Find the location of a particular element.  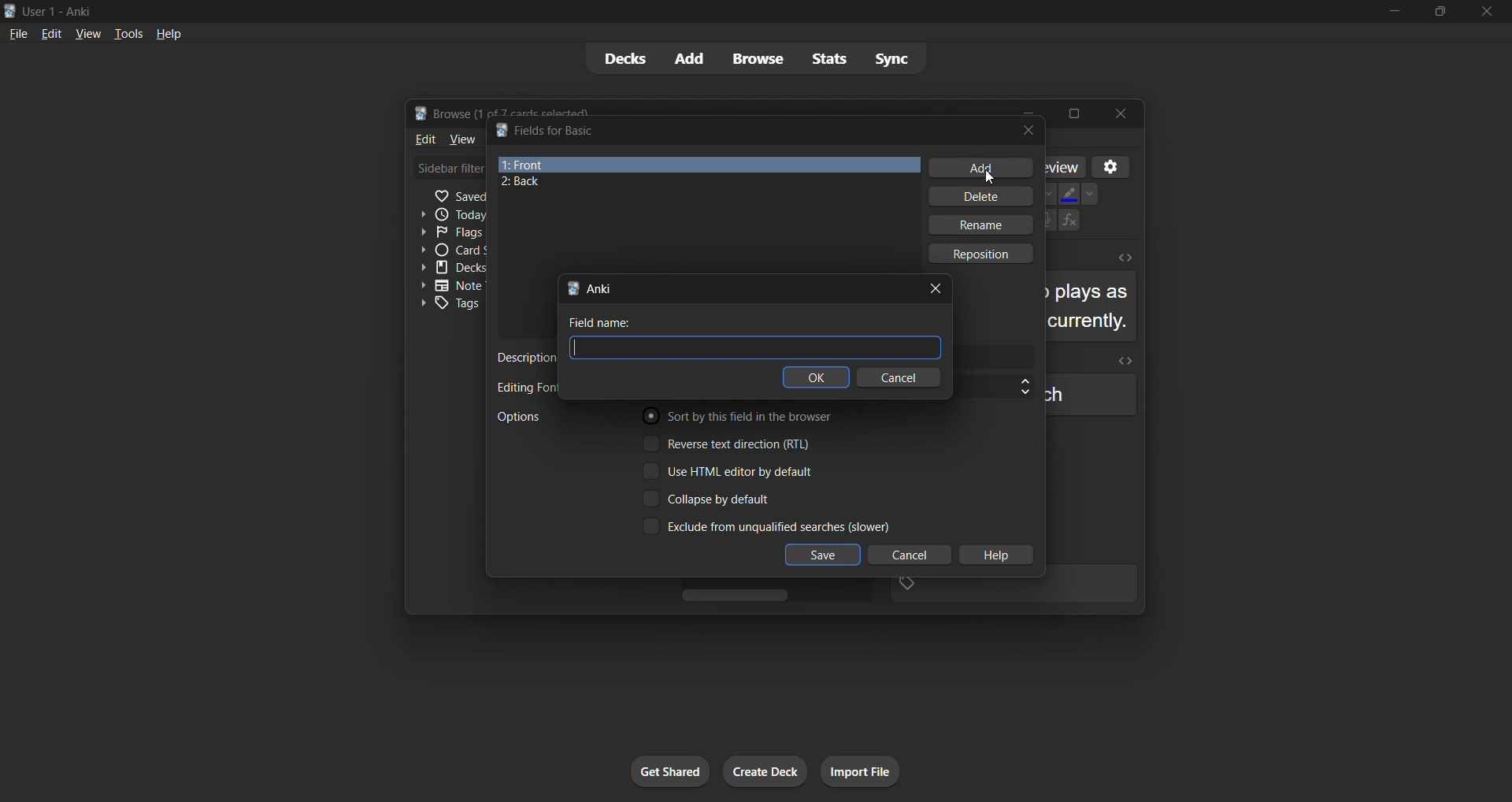

Options is located at coordinates (546, 417).